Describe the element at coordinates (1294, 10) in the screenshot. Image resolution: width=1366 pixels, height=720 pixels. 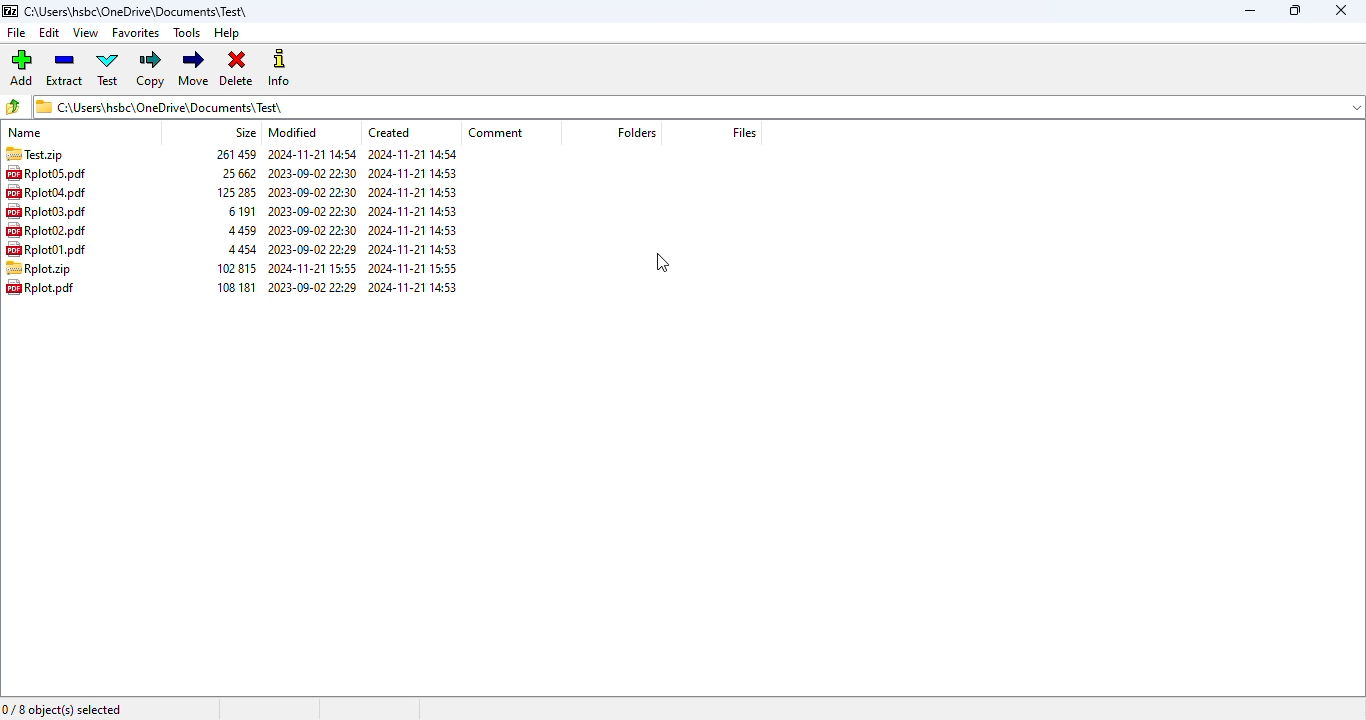
I see `maximize` at that location.